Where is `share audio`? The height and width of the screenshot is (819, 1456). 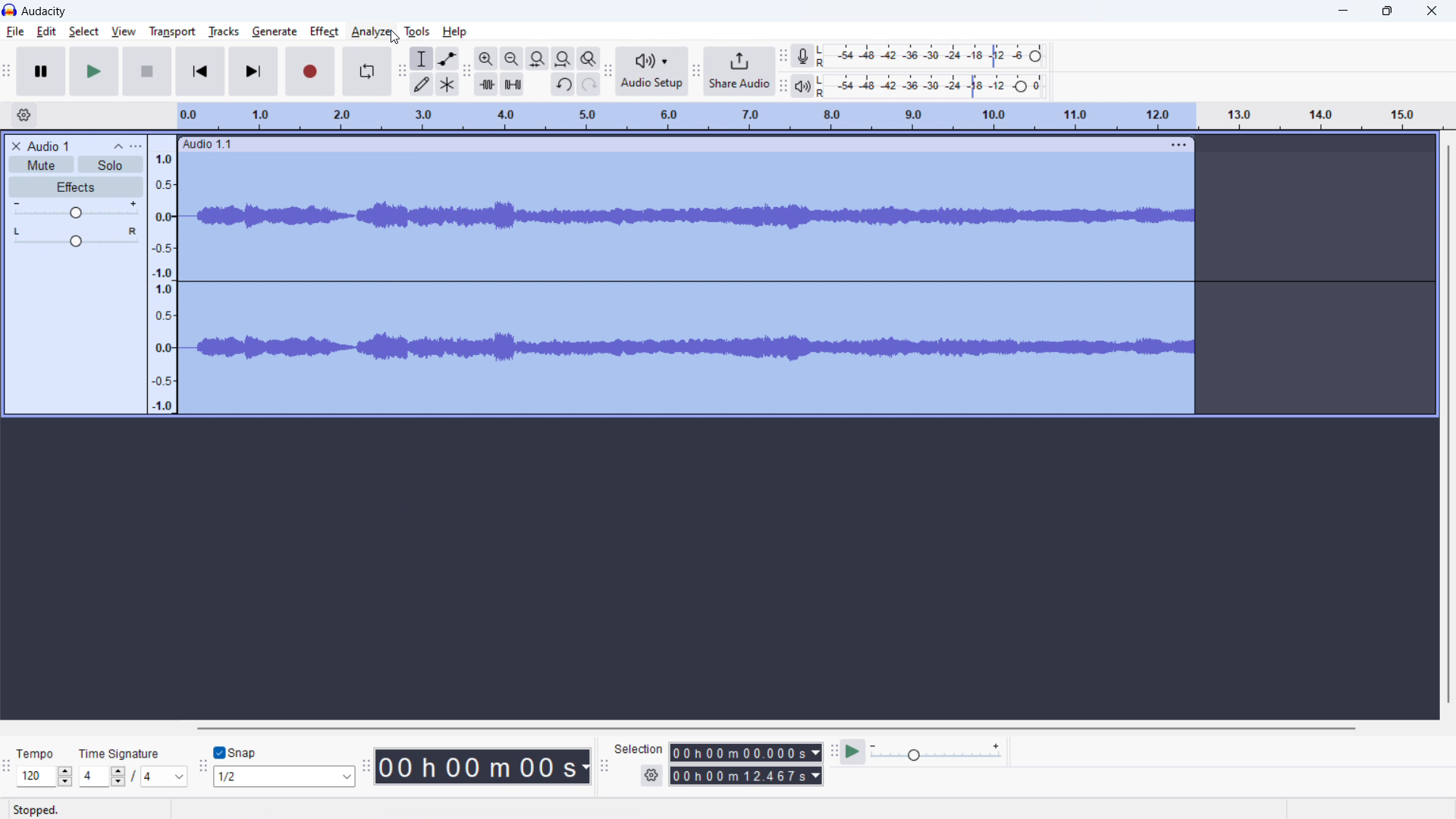
share audio is located at coordinates (739, 71).